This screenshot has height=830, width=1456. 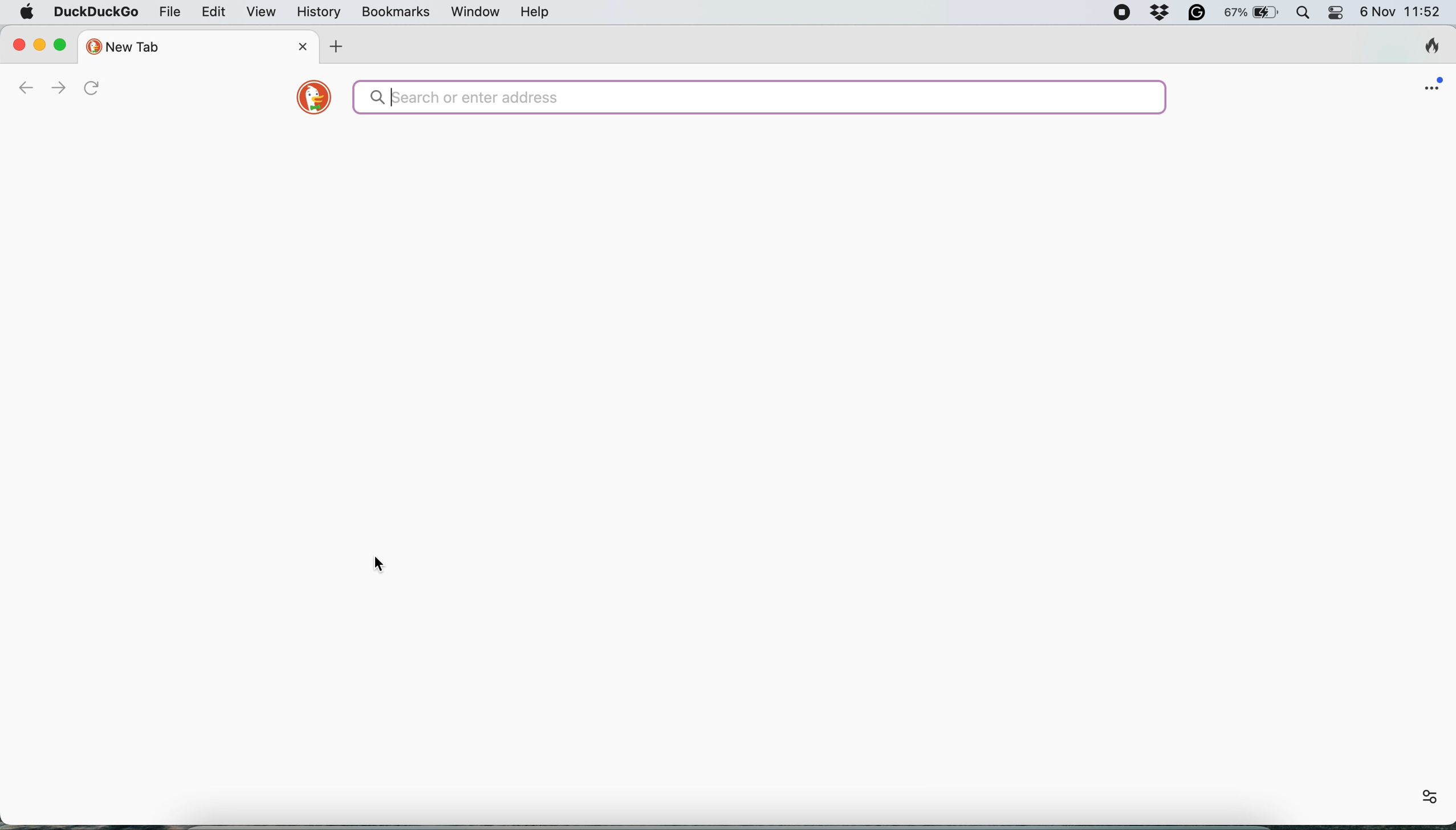 What do you see at coordinates (535, 12) in the screenshot?
I see `help` at bounding box center [535, 12].